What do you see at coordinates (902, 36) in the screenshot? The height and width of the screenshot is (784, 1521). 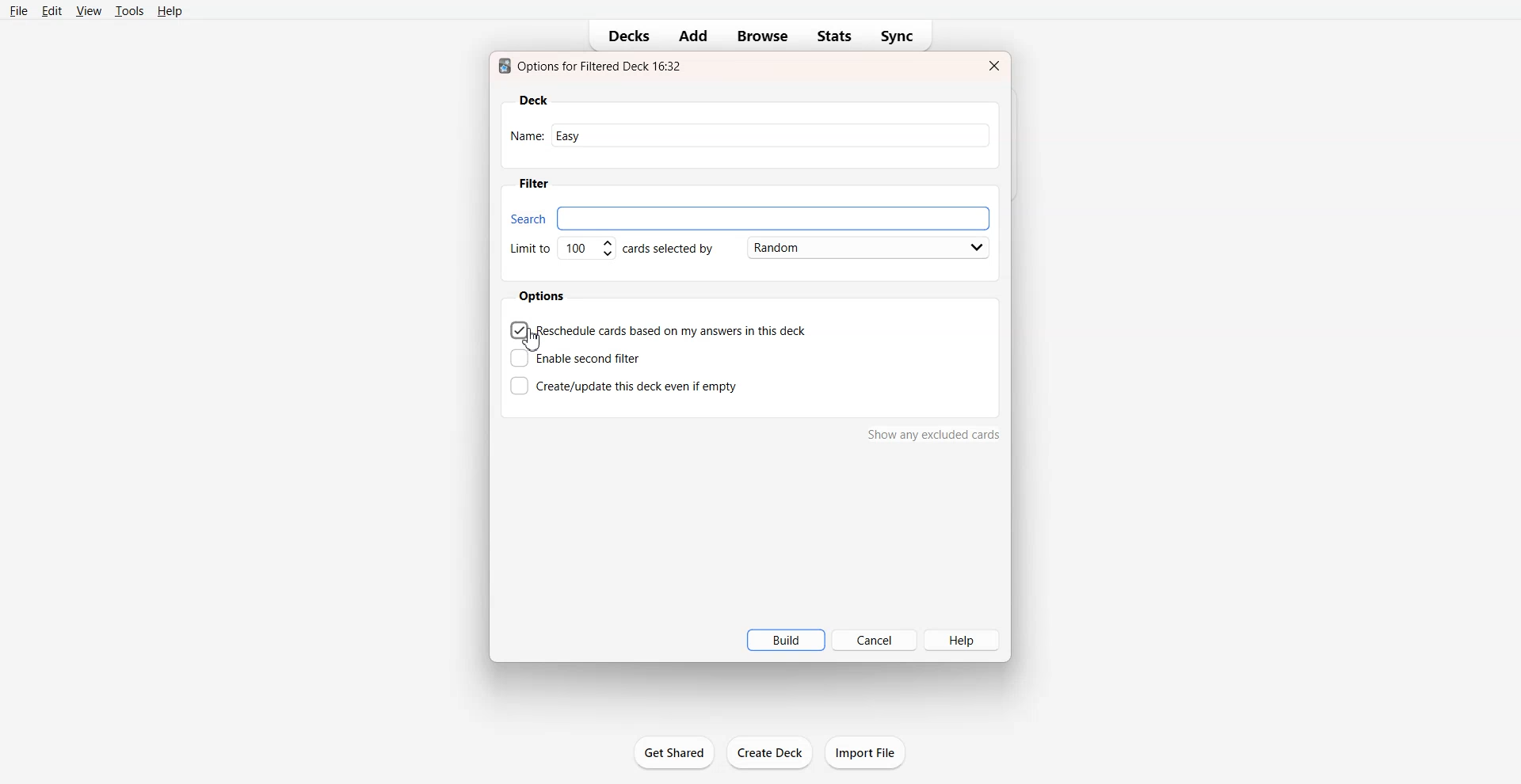 I see `Sync` at bounding box center [902, 36].